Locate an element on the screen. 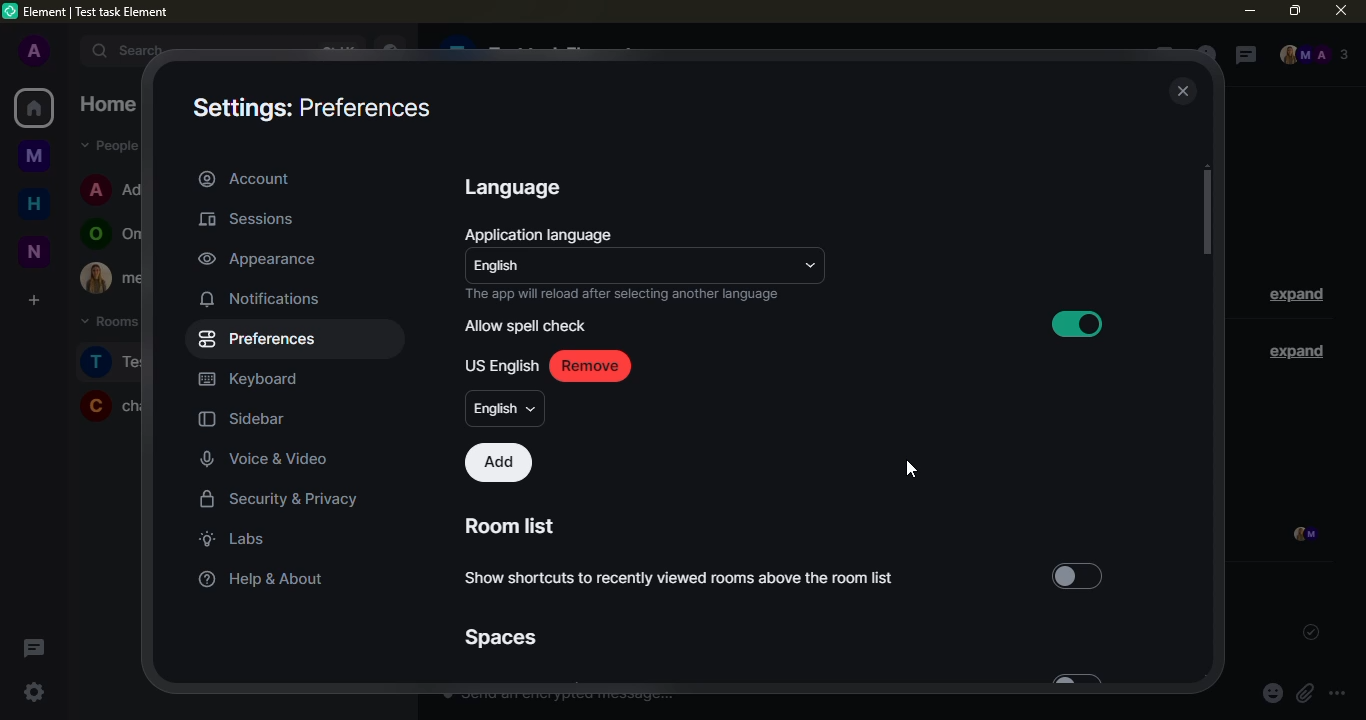 The image size is (1366, 720). quick settings is located at coordinates (34, 692).